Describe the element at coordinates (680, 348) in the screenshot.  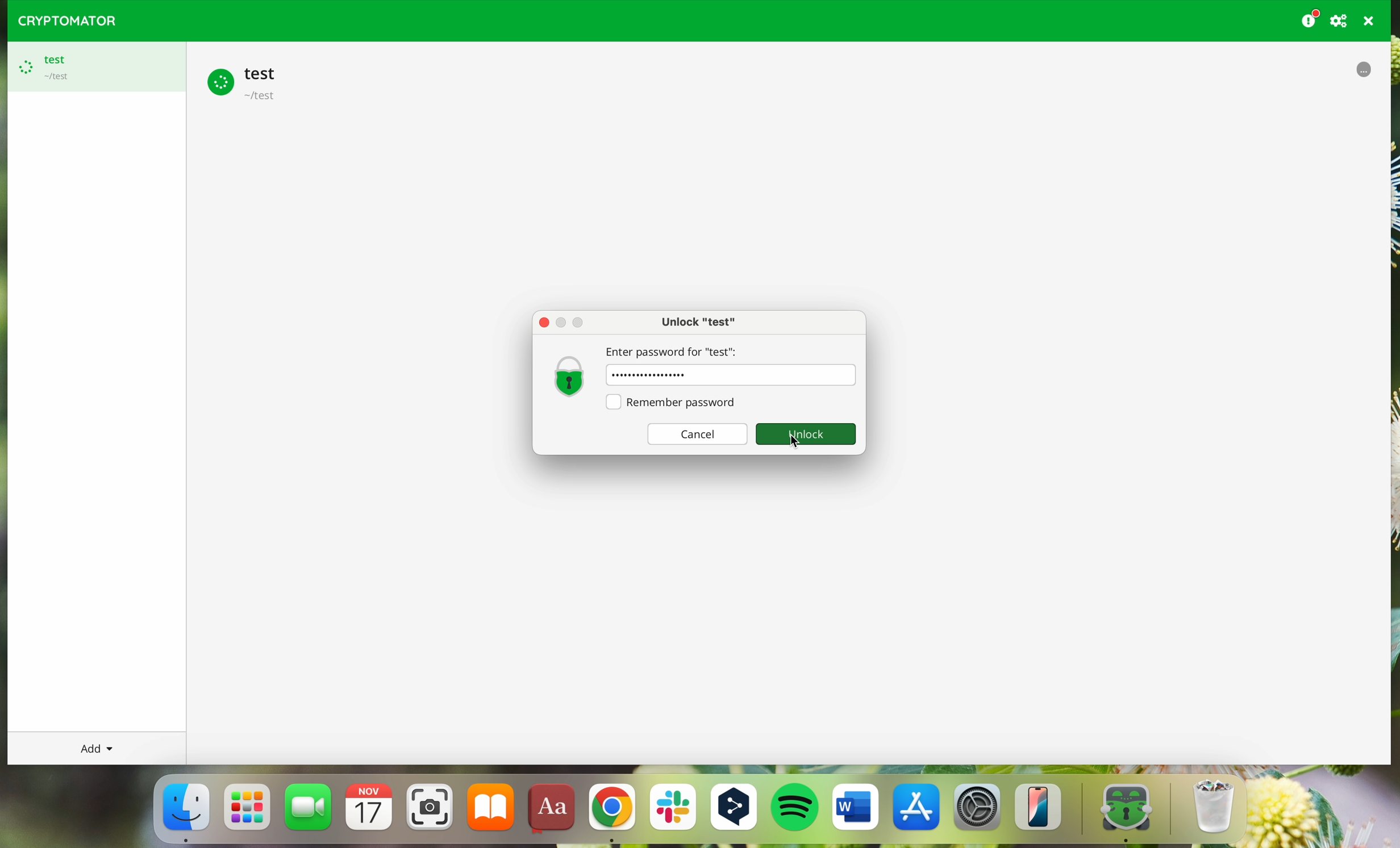
I see `Enter password for "test"` at that location.